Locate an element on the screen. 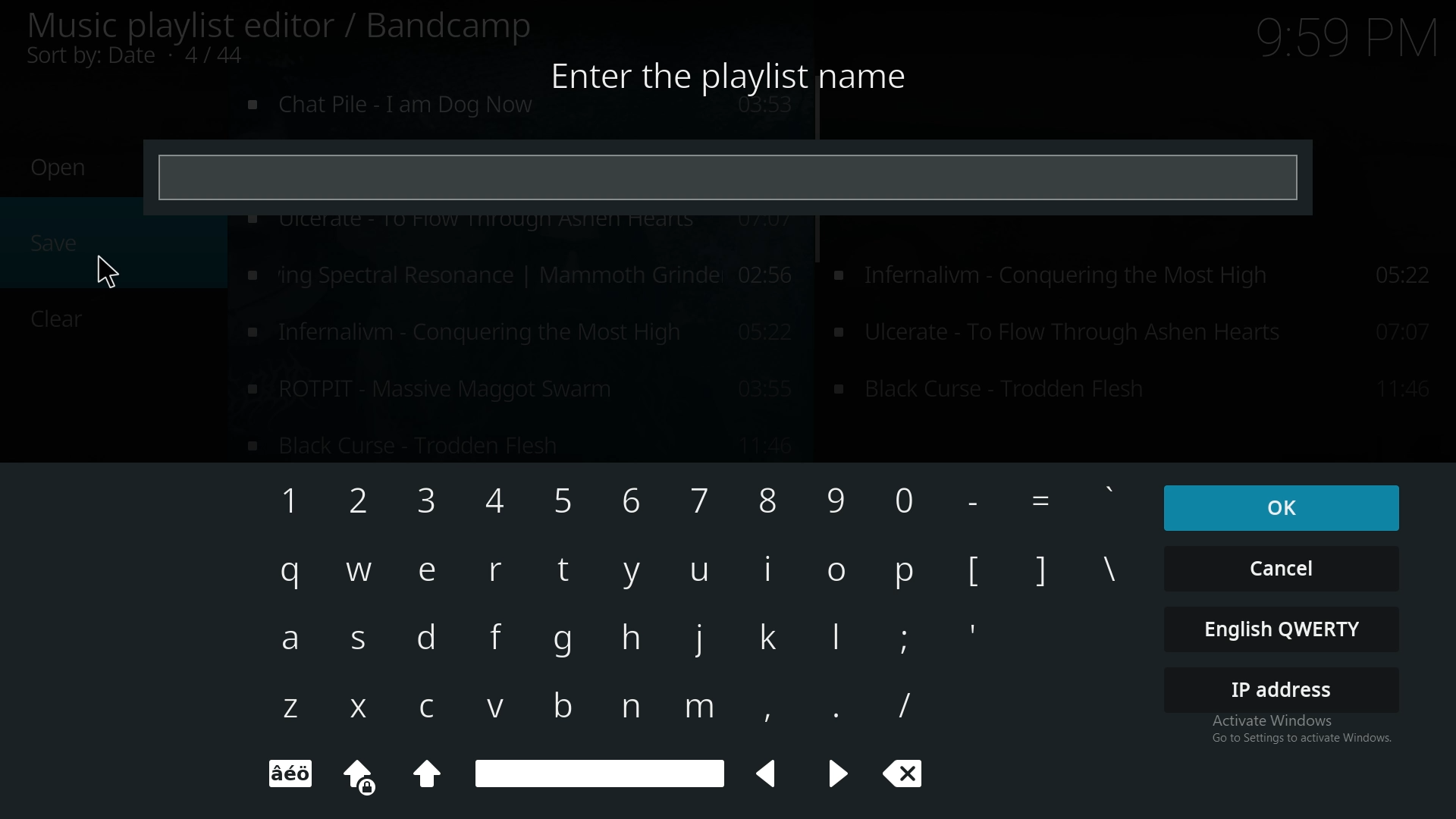 The image size is (1456, 819). keyboard input is located at coordinates (1040, 501).